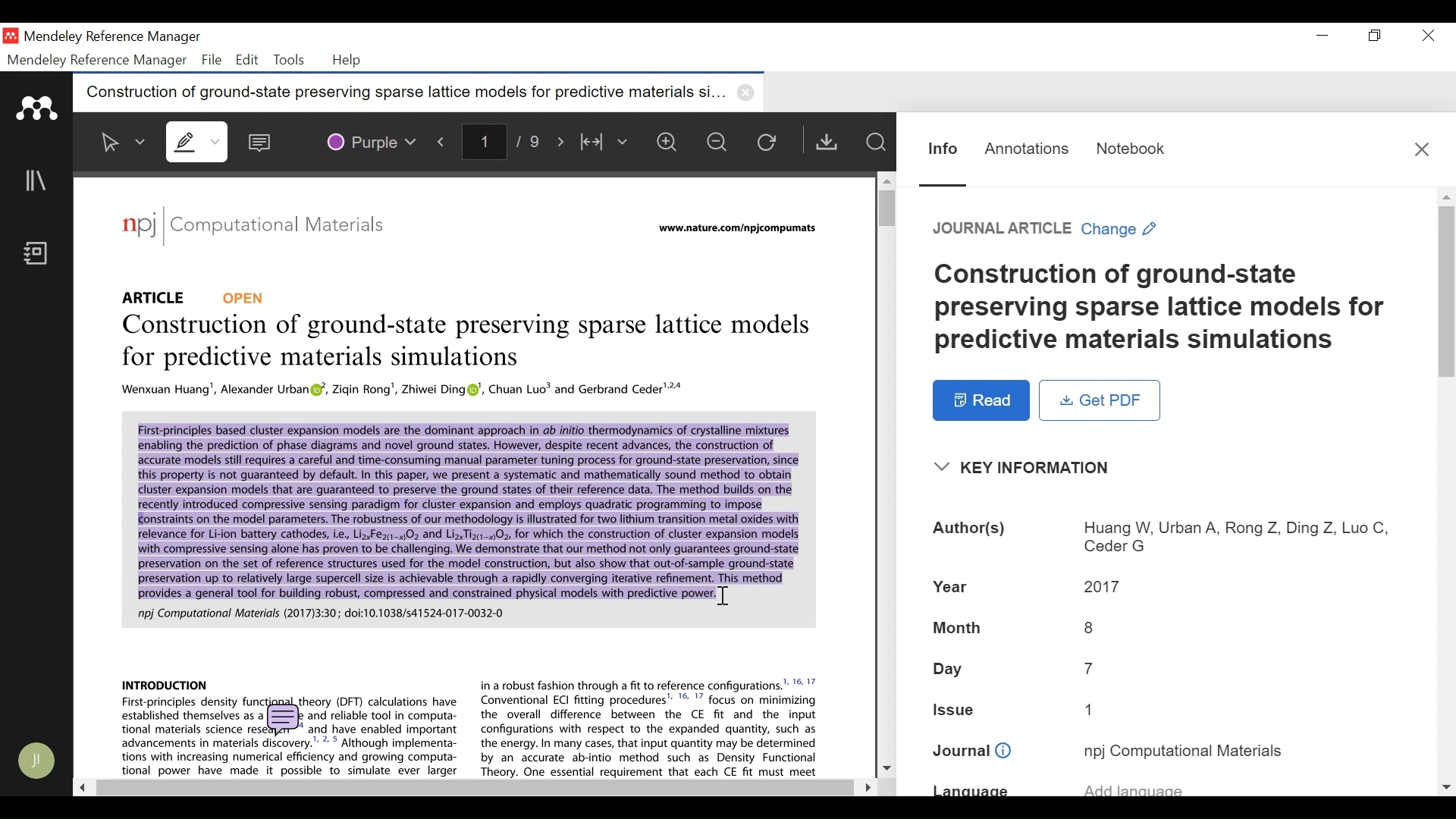 This screenshot has height=819, width=1456. Describe the element at coordinates (943, 149) in the screenshot. I see `Information ` at that location.